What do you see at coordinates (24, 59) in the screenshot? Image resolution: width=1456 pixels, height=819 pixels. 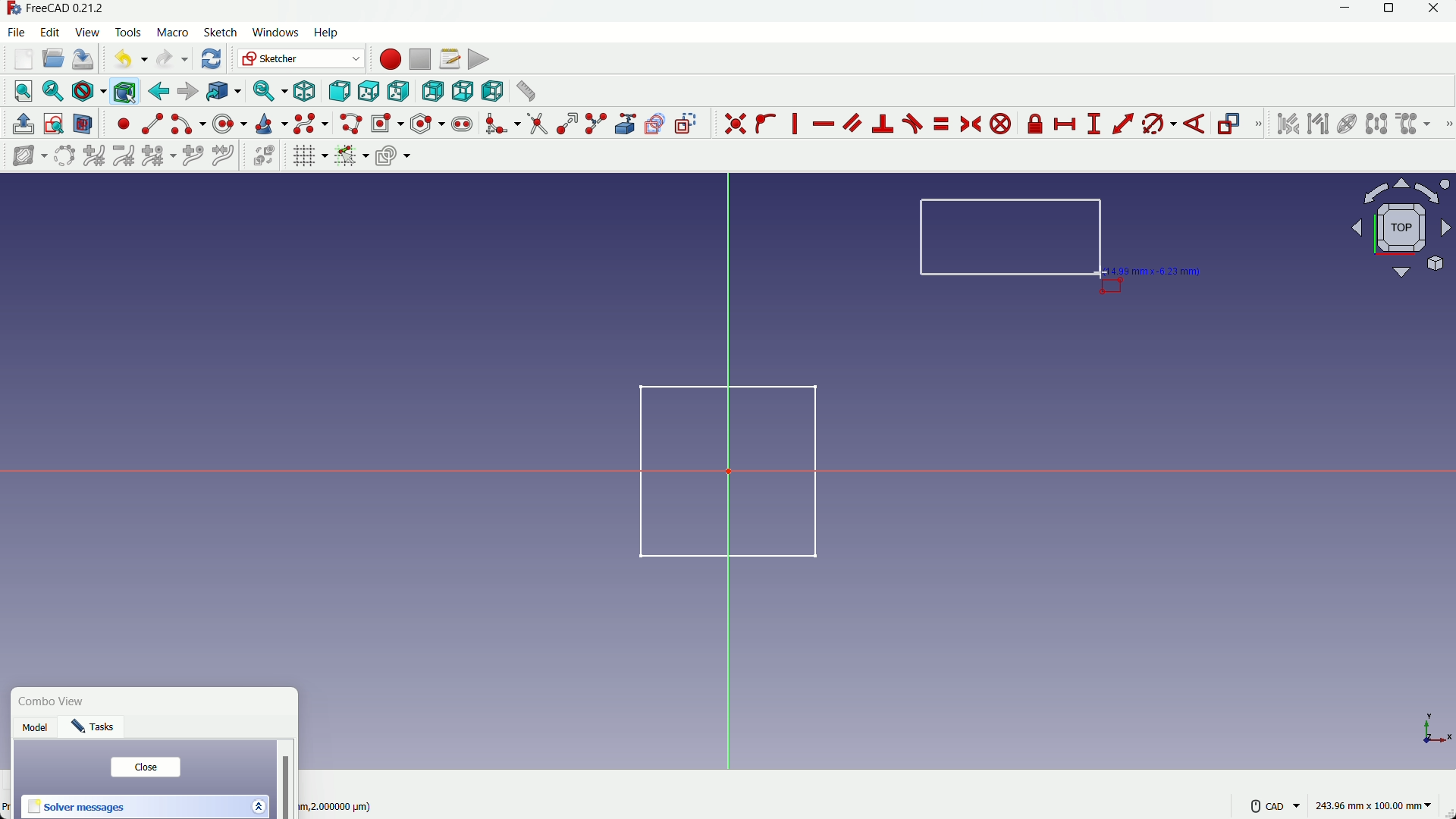 I see `new file` at bounding box center [24, 59].